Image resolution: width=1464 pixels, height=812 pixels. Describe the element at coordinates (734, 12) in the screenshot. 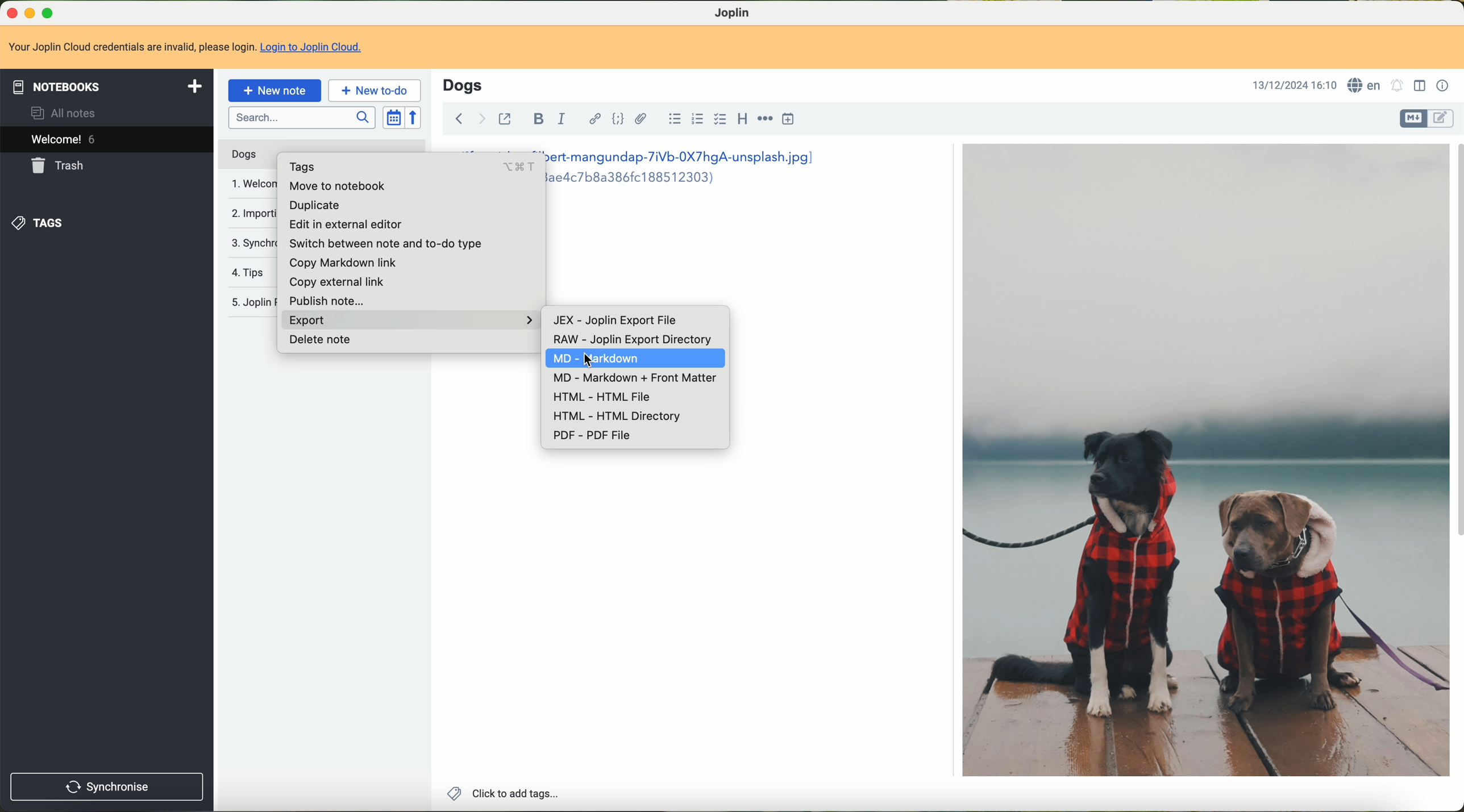

I see `Joplin` at that location.